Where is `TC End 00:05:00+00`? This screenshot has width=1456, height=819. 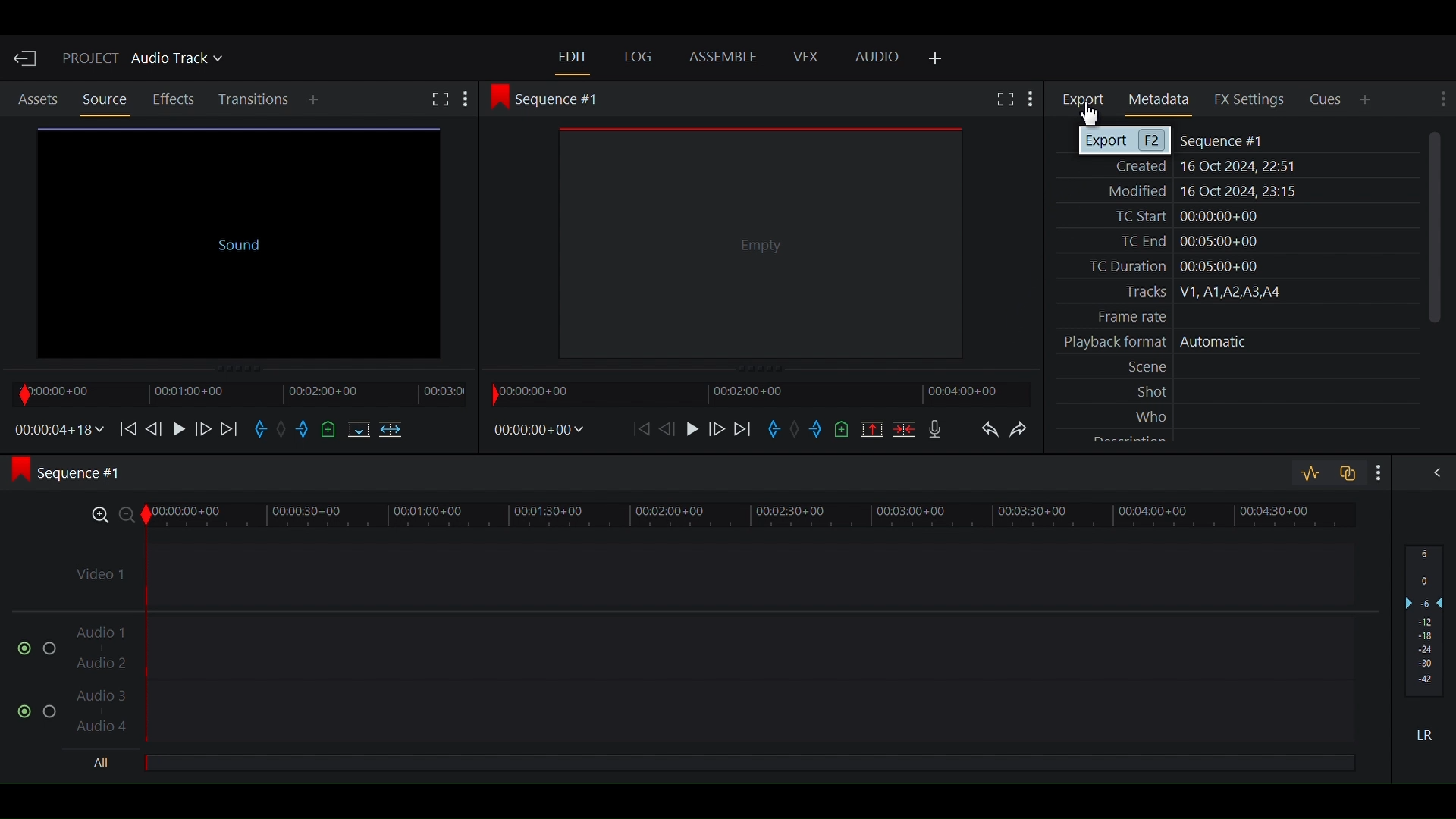 TC End 00:05:00+00 is located at coordinates (1183, 241).